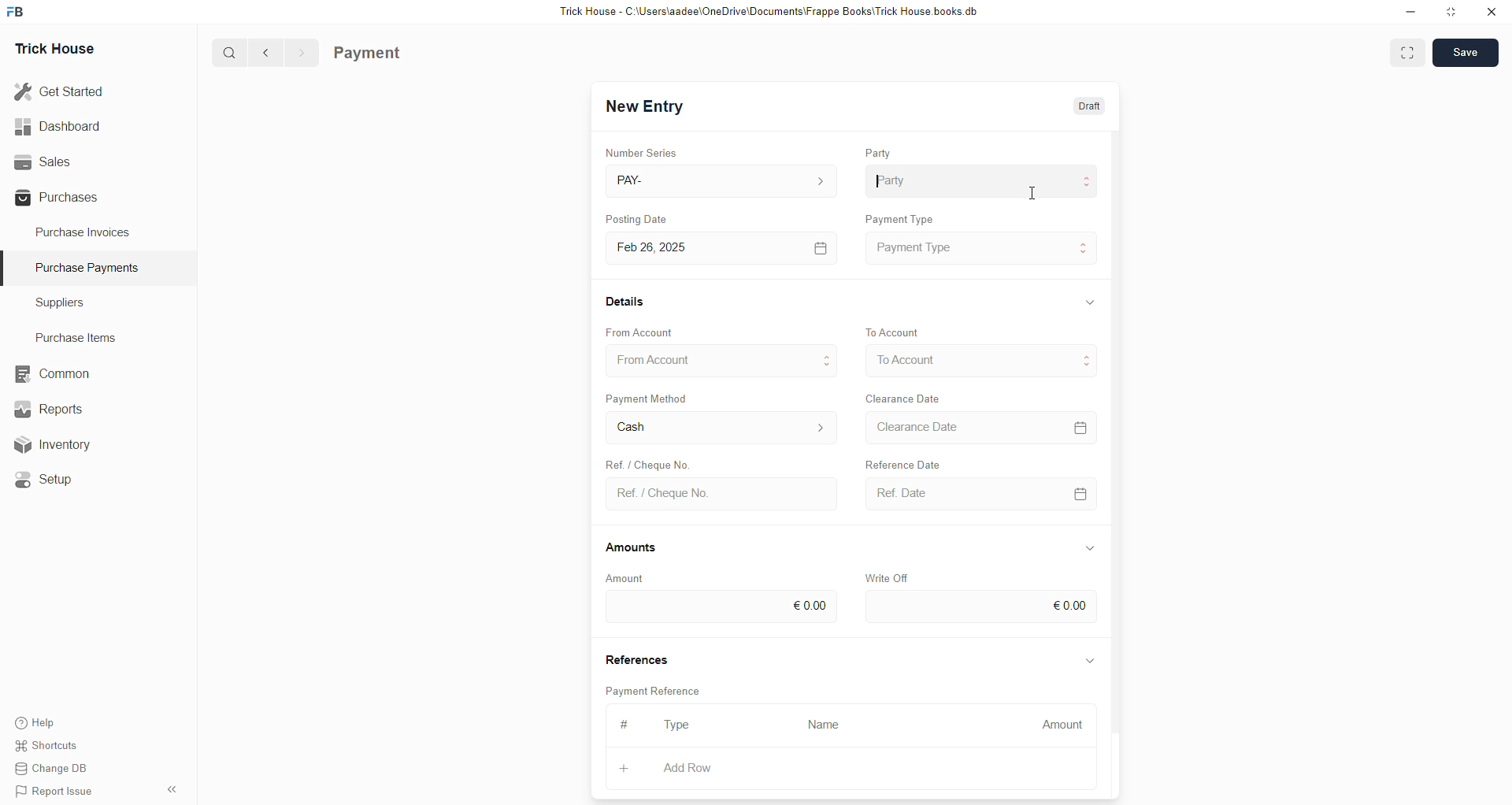  What do you see at coordinates (642, 331) in the screenshot?
I see `From Account` at bounding box center [642, 331].